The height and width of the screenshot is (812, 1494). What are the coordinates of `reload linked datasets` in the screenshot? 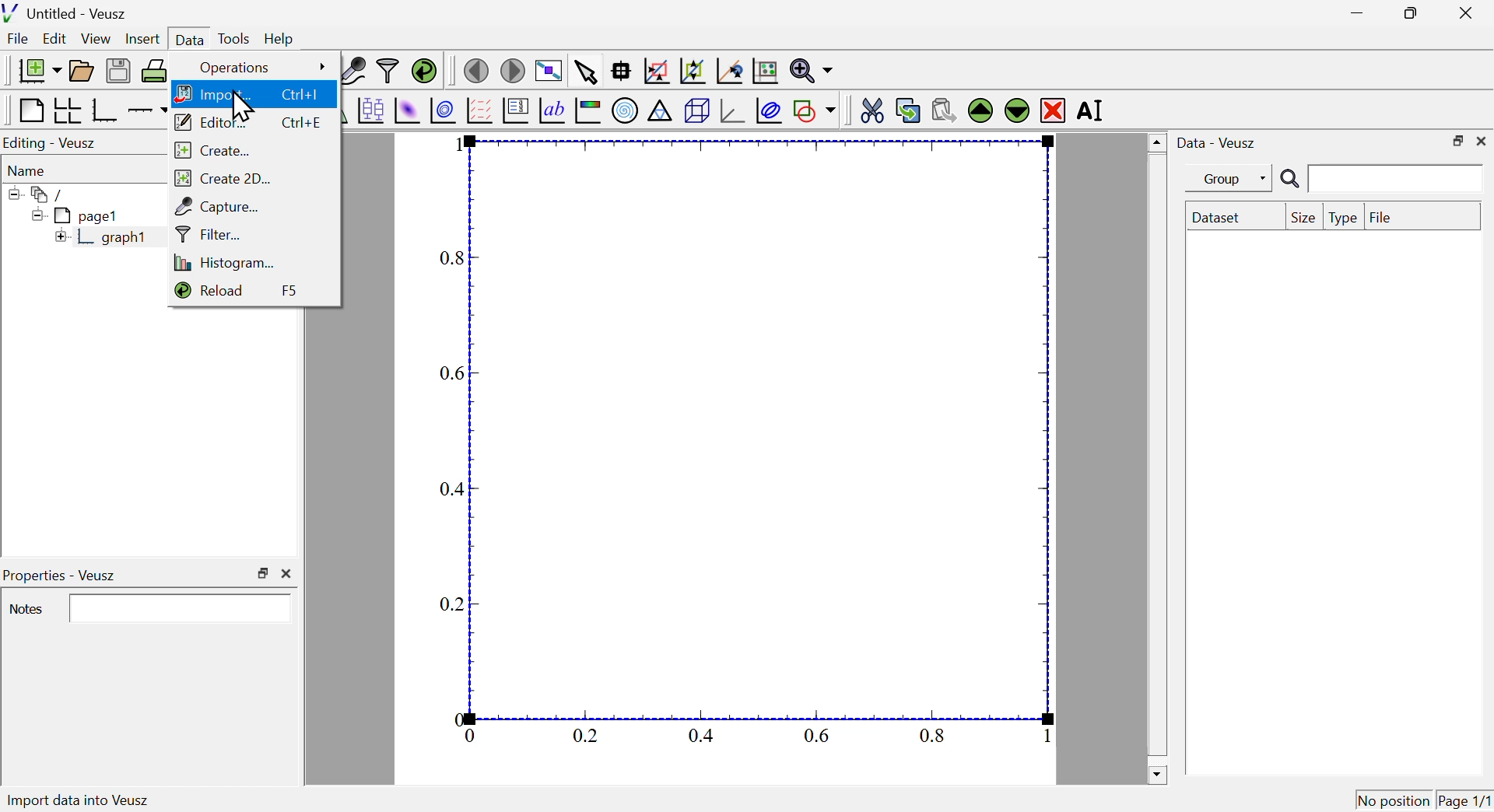 It's located at (423, 70).